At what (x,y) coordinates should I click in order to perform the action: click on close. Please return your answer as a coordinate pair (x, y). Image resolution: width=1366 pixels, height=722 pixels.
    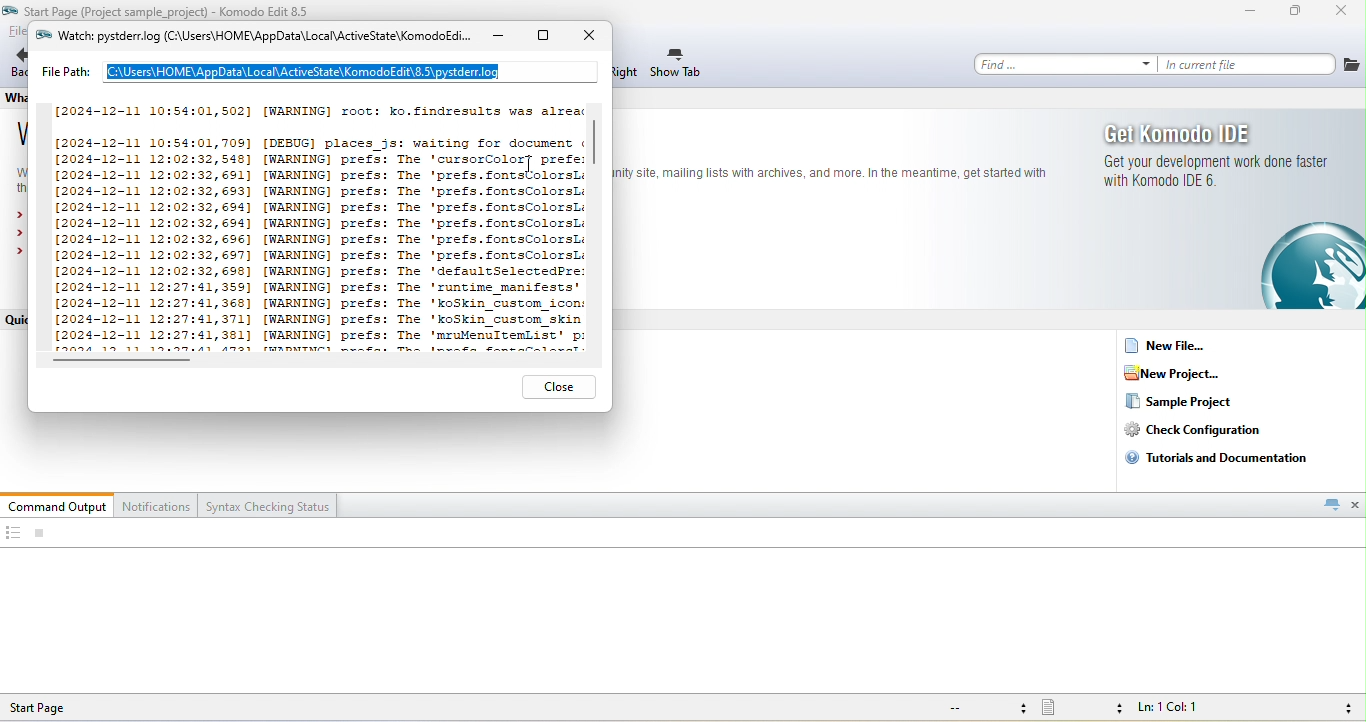
    Looking at the image, I should click on (1343, 13).